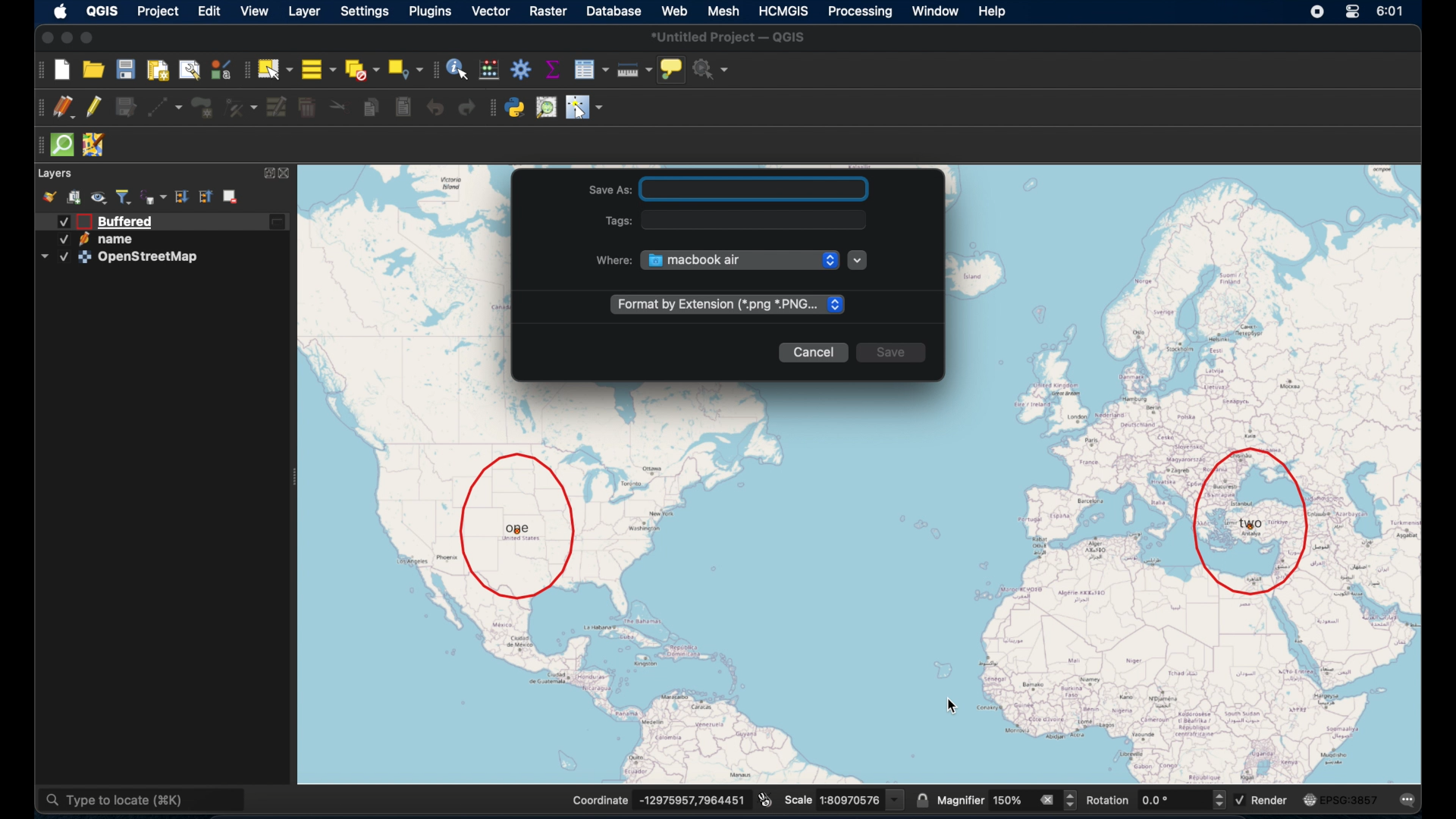 This screenshot has width=1456, height=819. I want to click on type to locate, so click(145, 798).